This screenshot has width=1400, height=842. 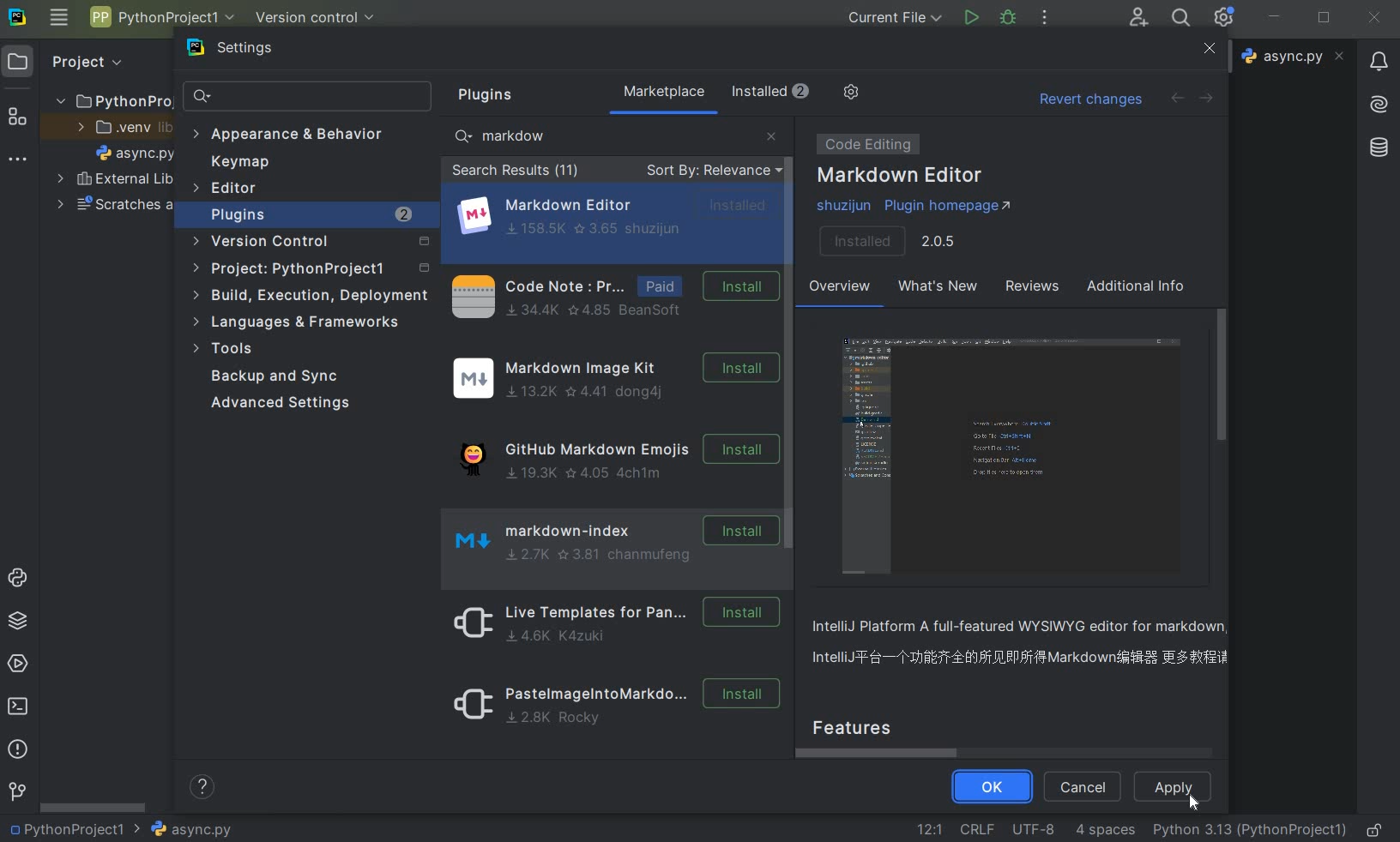 What do you see at coordinates (771, 93) in the screenshot?
I see `installed (2)` at bounding box center [771, 93].